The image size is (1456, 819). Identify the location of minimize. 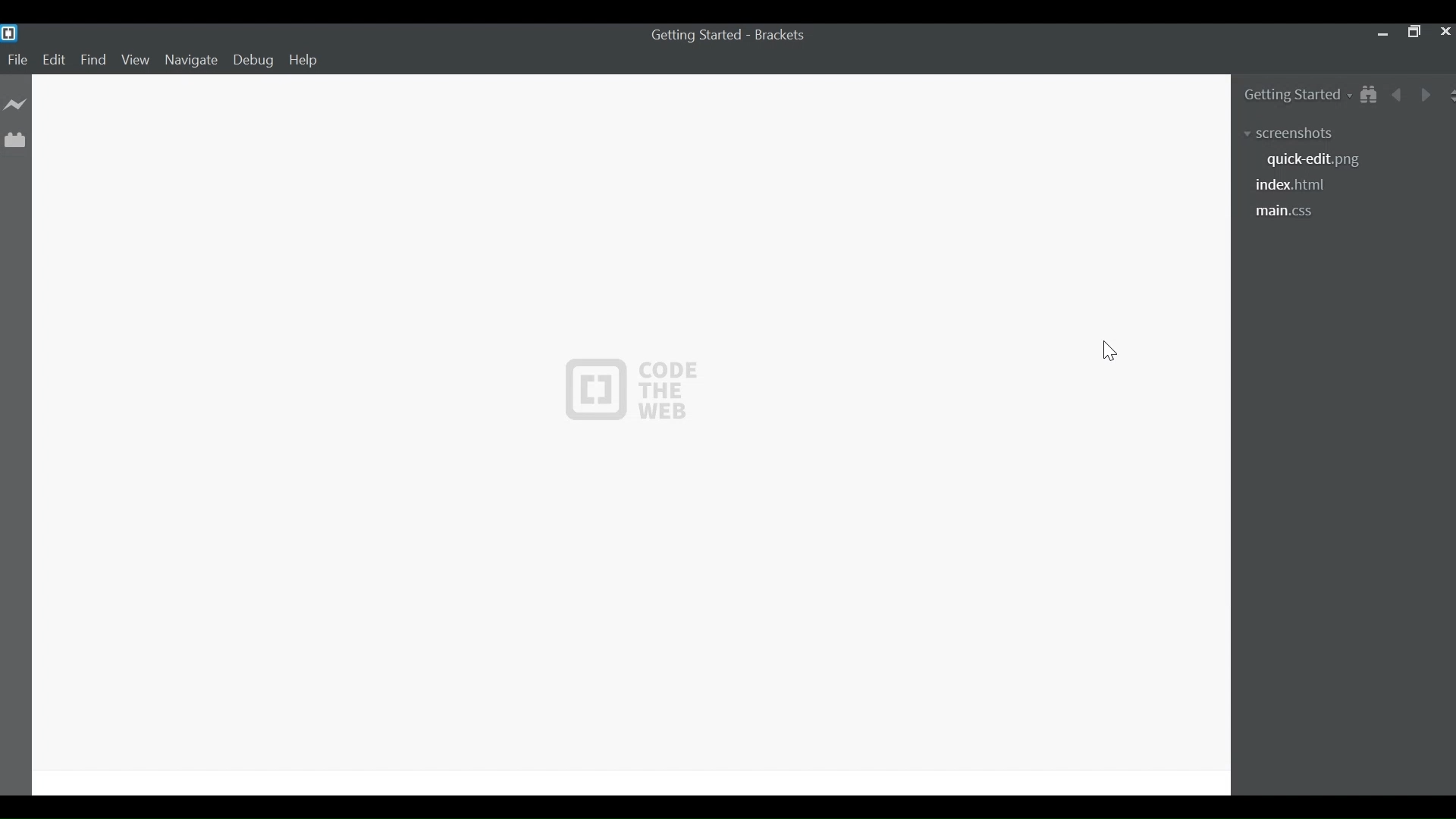
(1382, 33).